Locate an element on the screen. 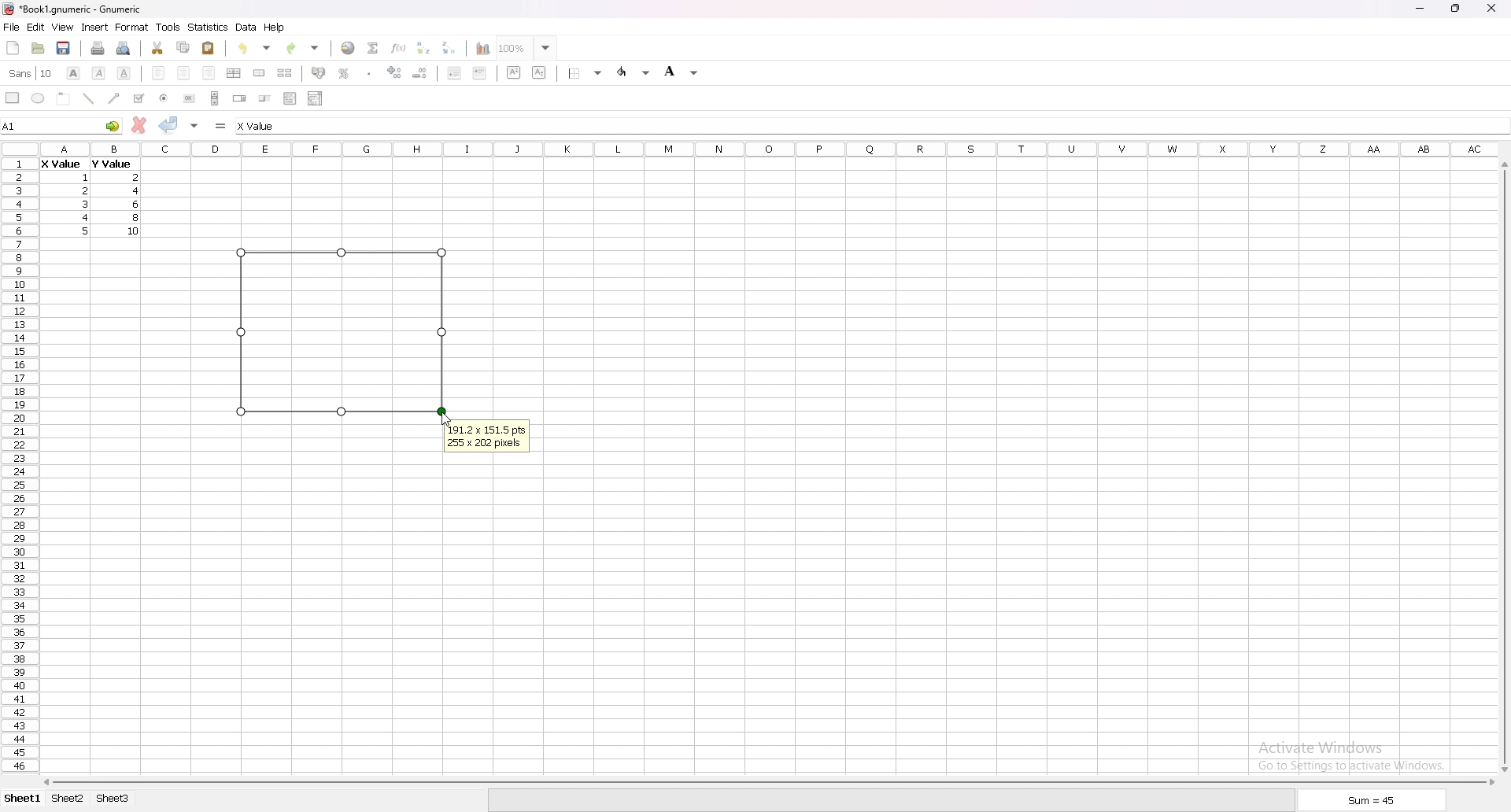 This screenshot has width=1511, height=812. value is located at coordinates (84, 190).